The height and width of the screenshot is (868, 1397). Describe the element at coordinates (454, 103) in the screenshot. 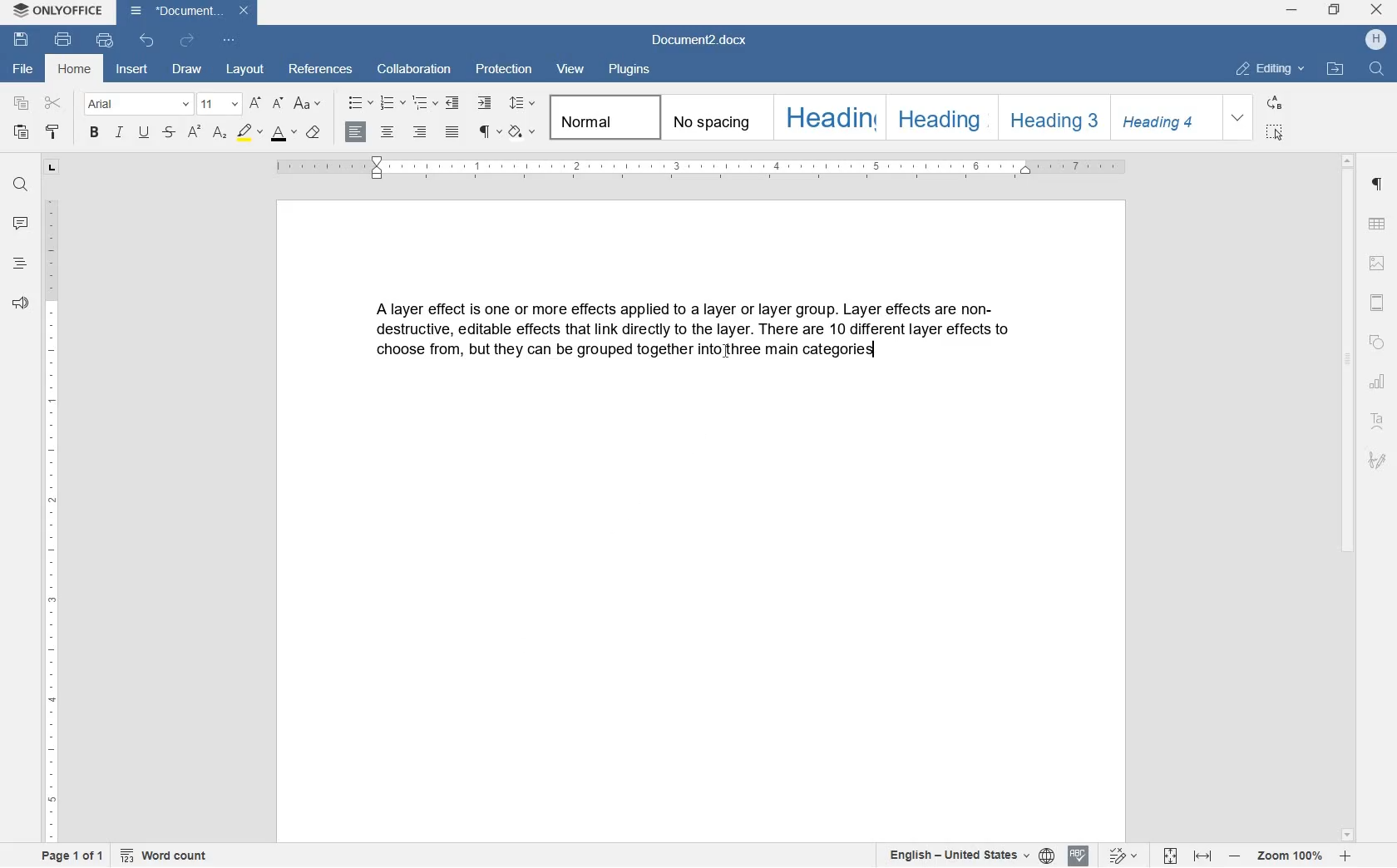

I see `decrease indent` at that location.